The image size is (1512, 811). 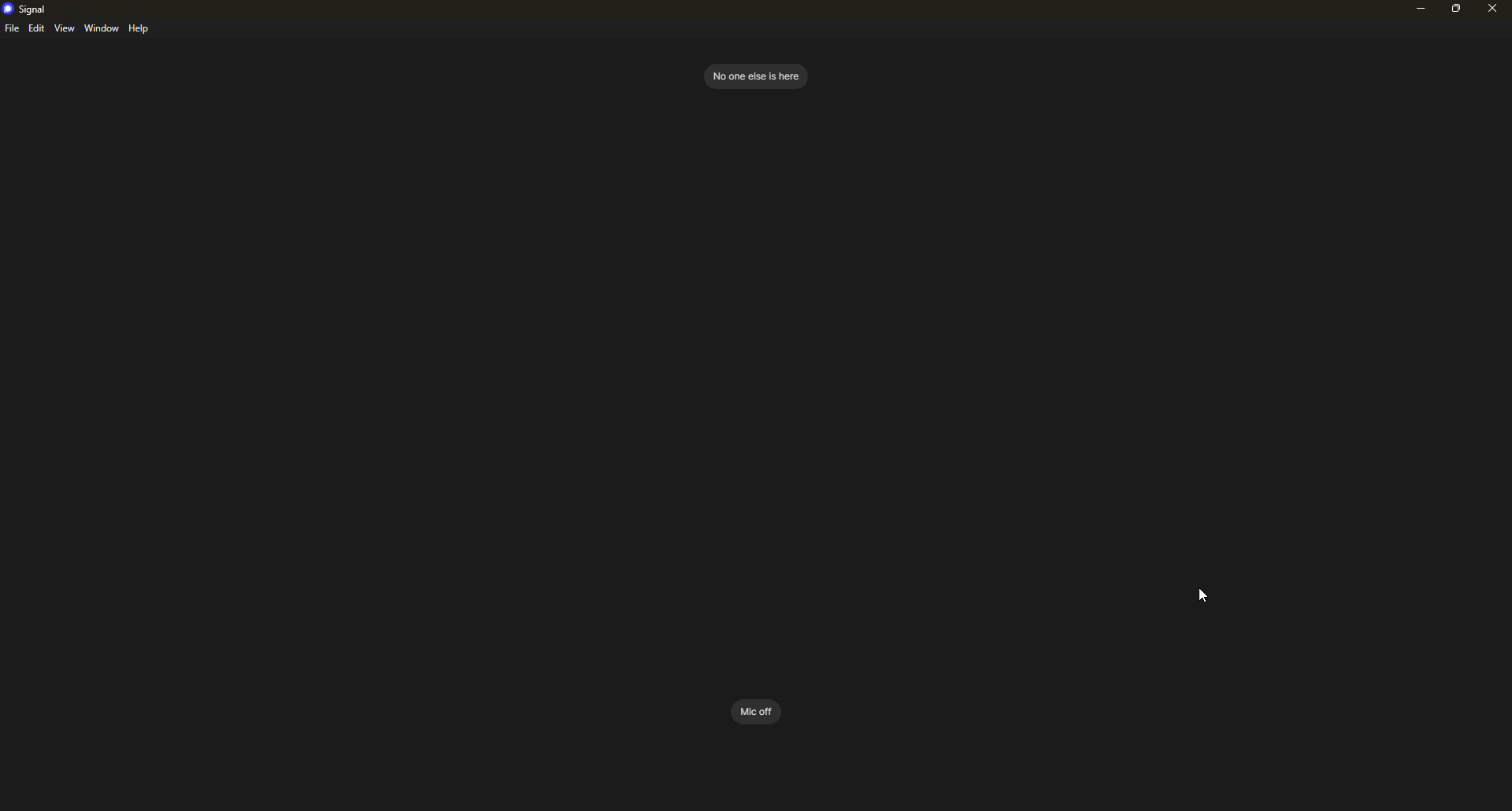 What do you see at coordinates (102, 28) in the screenshot?
I see `window` at bounding box center [102, 28].